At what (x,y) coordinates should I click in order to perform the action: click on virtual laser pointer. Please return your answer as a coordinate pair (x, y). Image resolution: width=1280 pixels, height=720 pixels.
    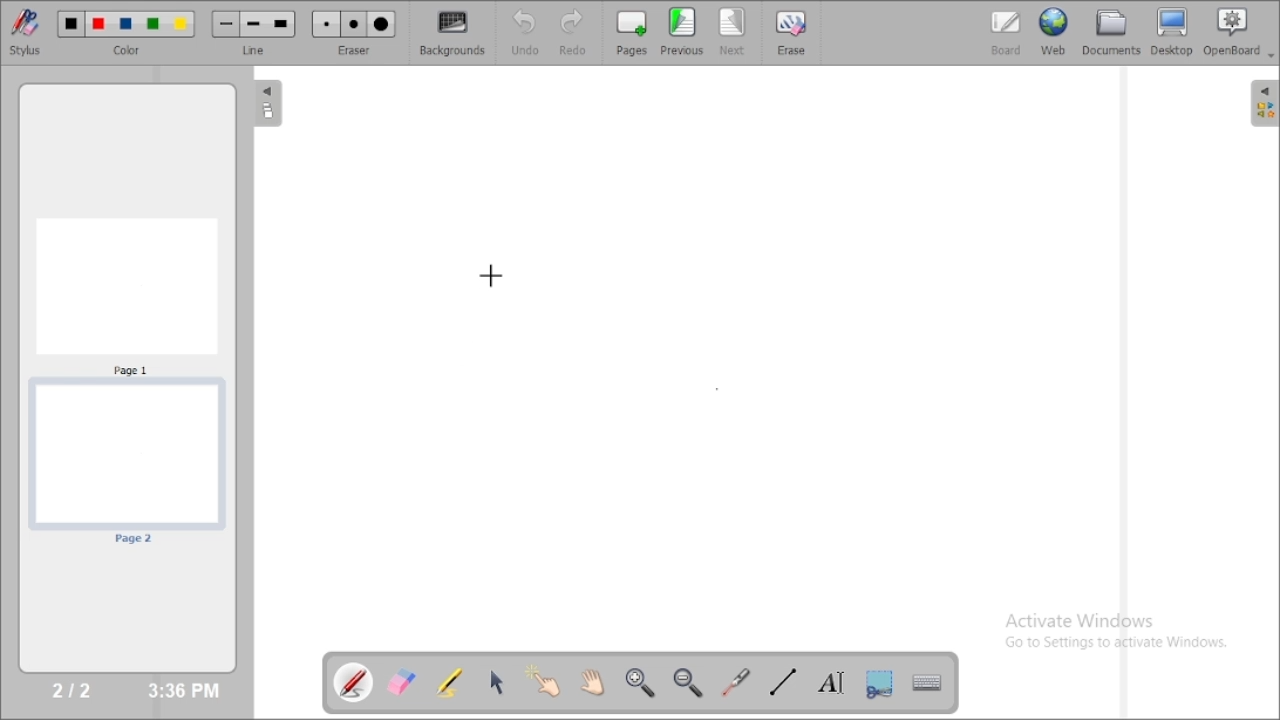
    Looking at the image, I should click on (736, 682).